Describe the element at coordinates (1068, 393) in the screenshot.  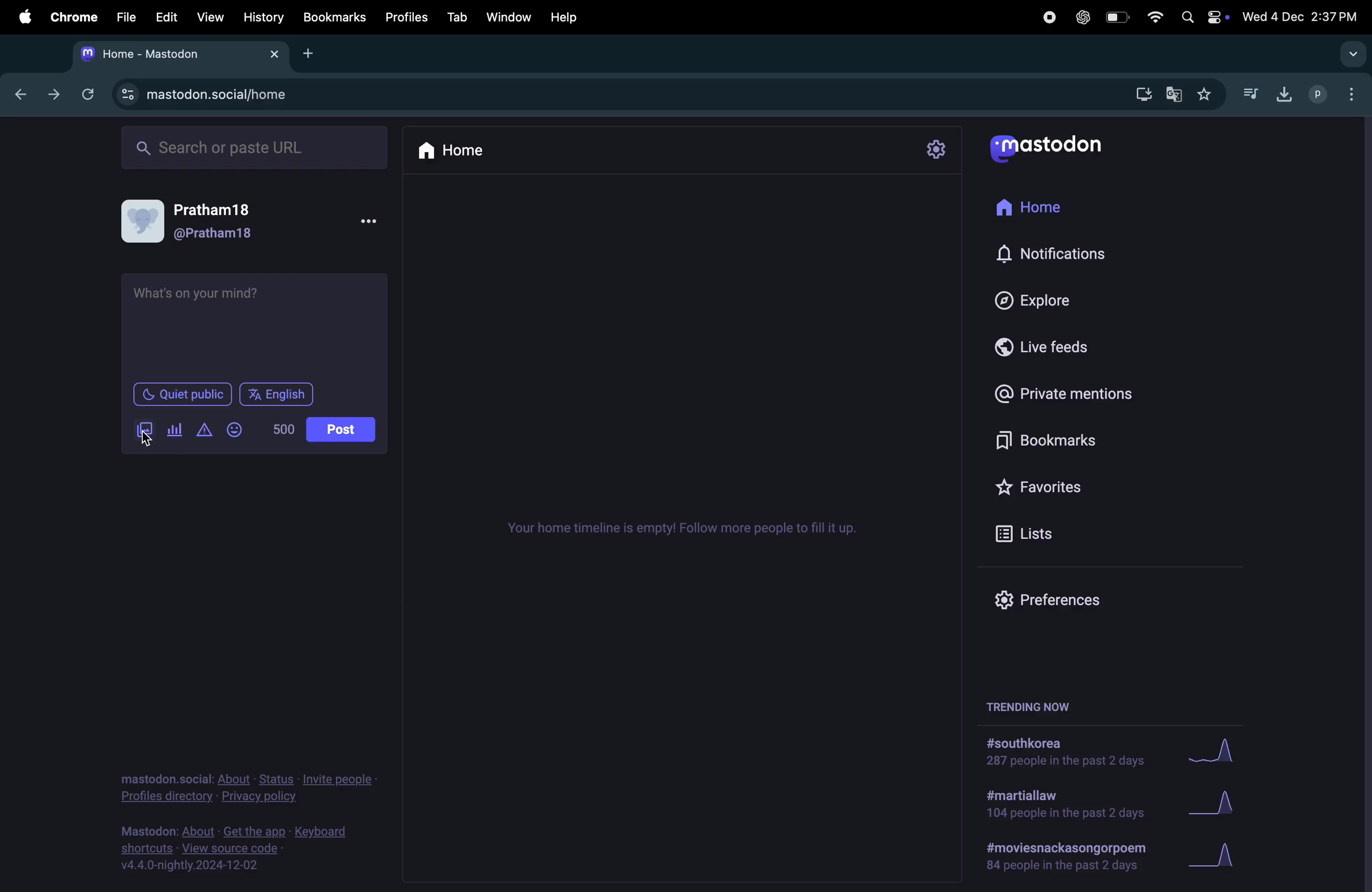
I see `private mentions` at that location.